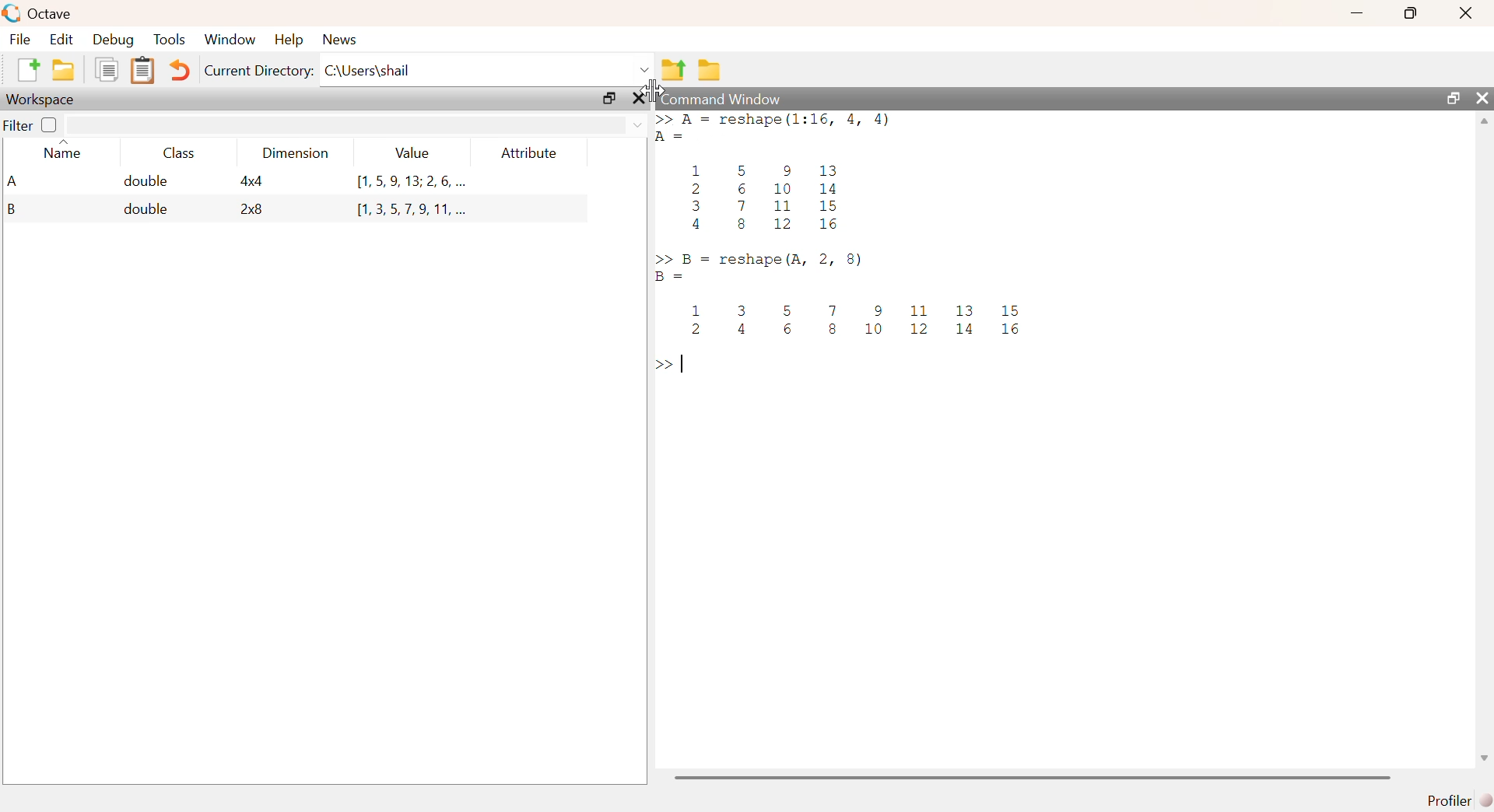 This screenshot has height=812, width=1494. What do you see at coordinates (63, 39) in the screenshot?
I see `Edit` at bounding box center [63, 39].